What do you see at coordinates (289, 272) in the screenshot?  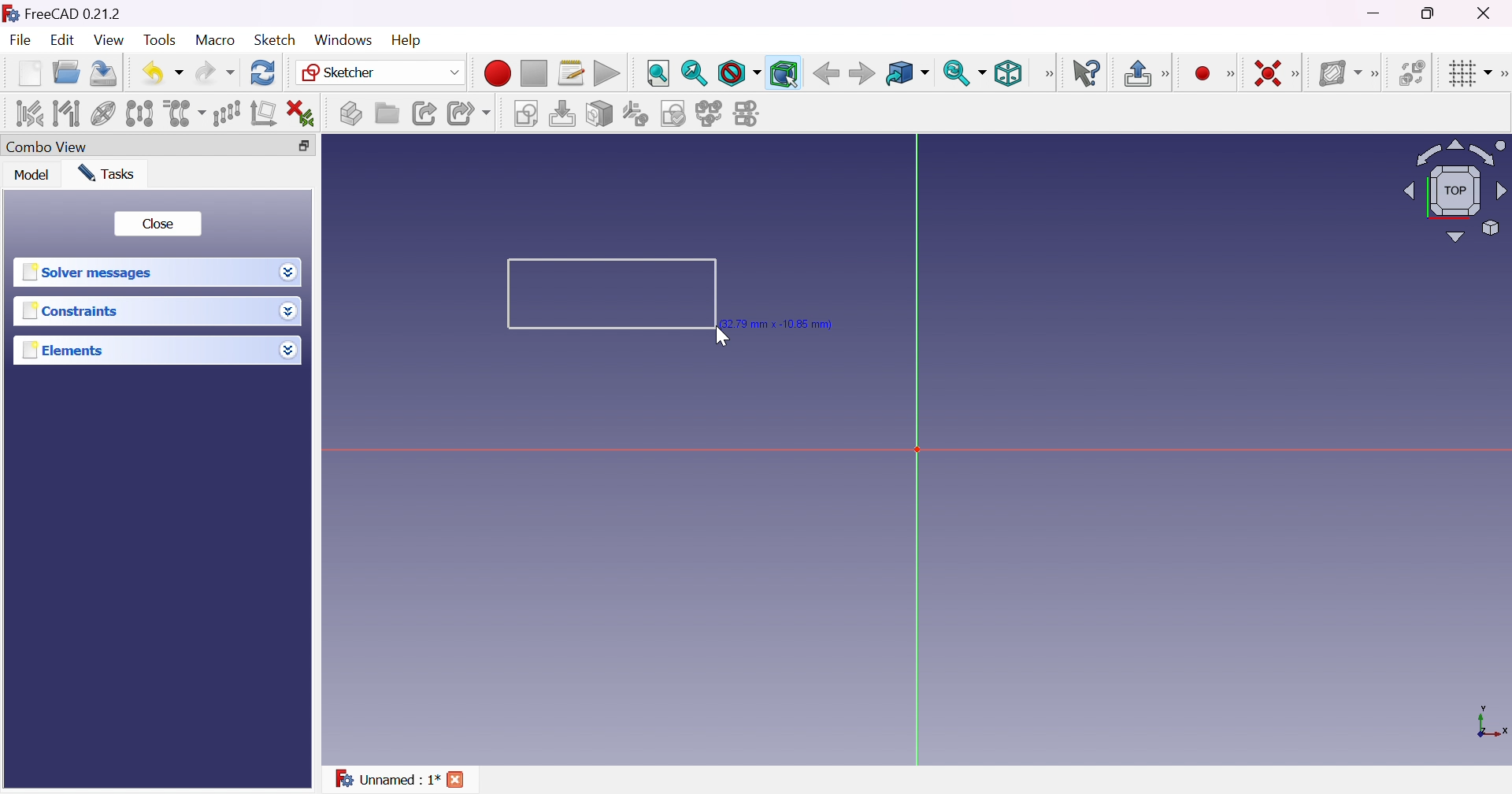 I see `Drop down` at bounding box center [289, 272].